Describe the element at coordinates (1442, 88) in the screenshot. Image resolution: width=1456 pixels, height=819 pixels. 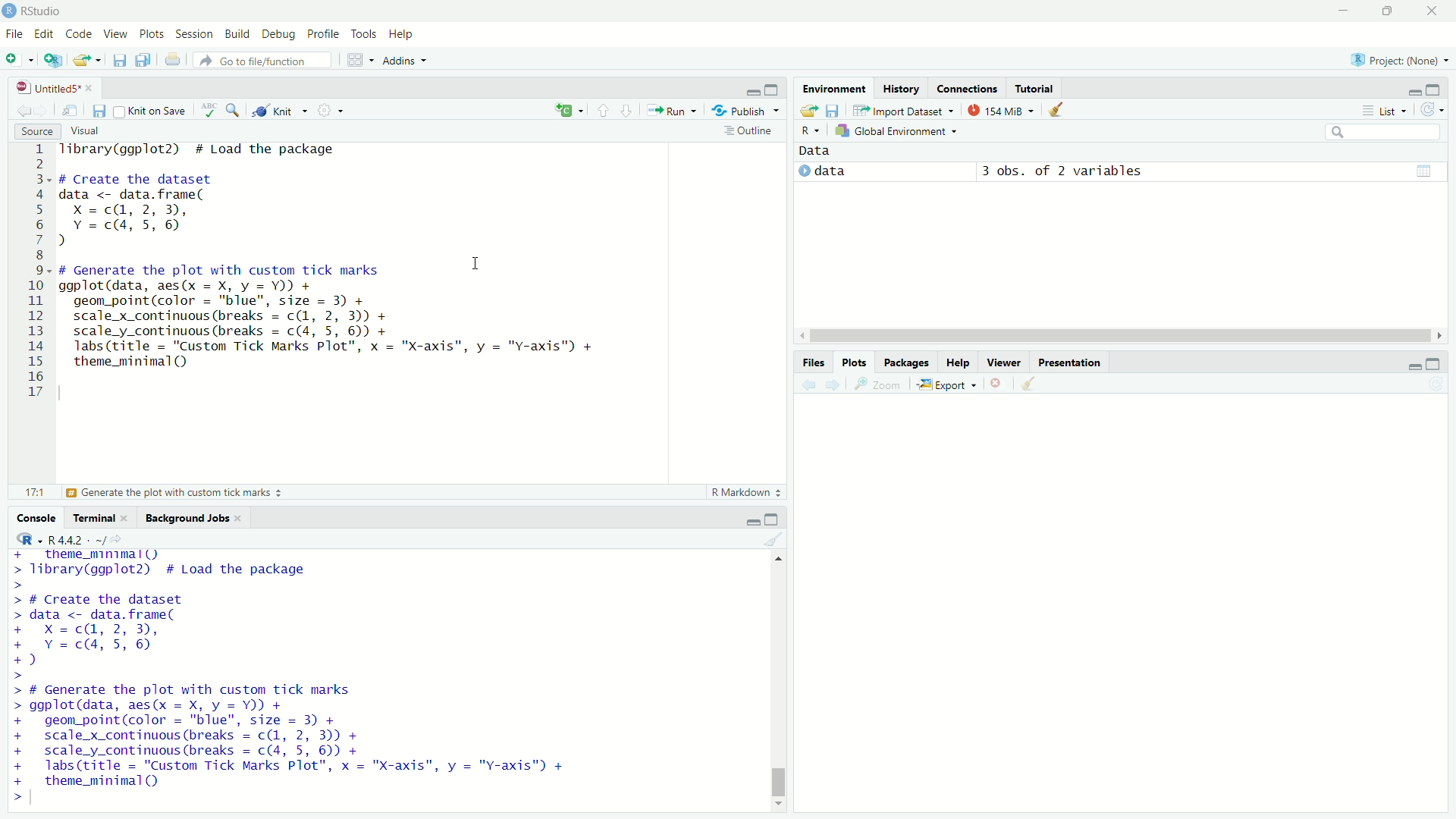
I see `maximize` at that location.